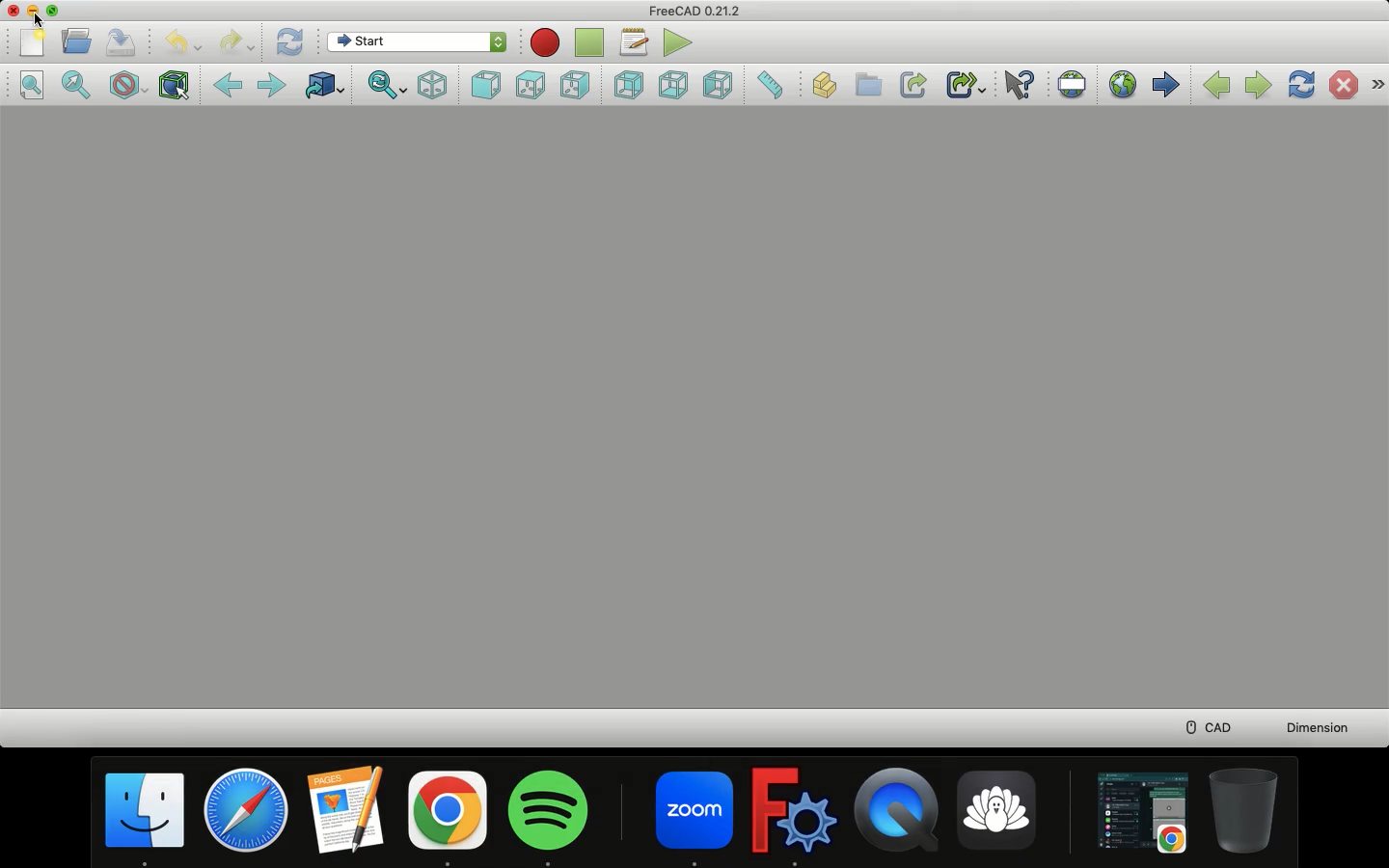  What do you see at coordinates (636, 41) in the screenshot?
I see `macros` at bounding box center [636, 41].